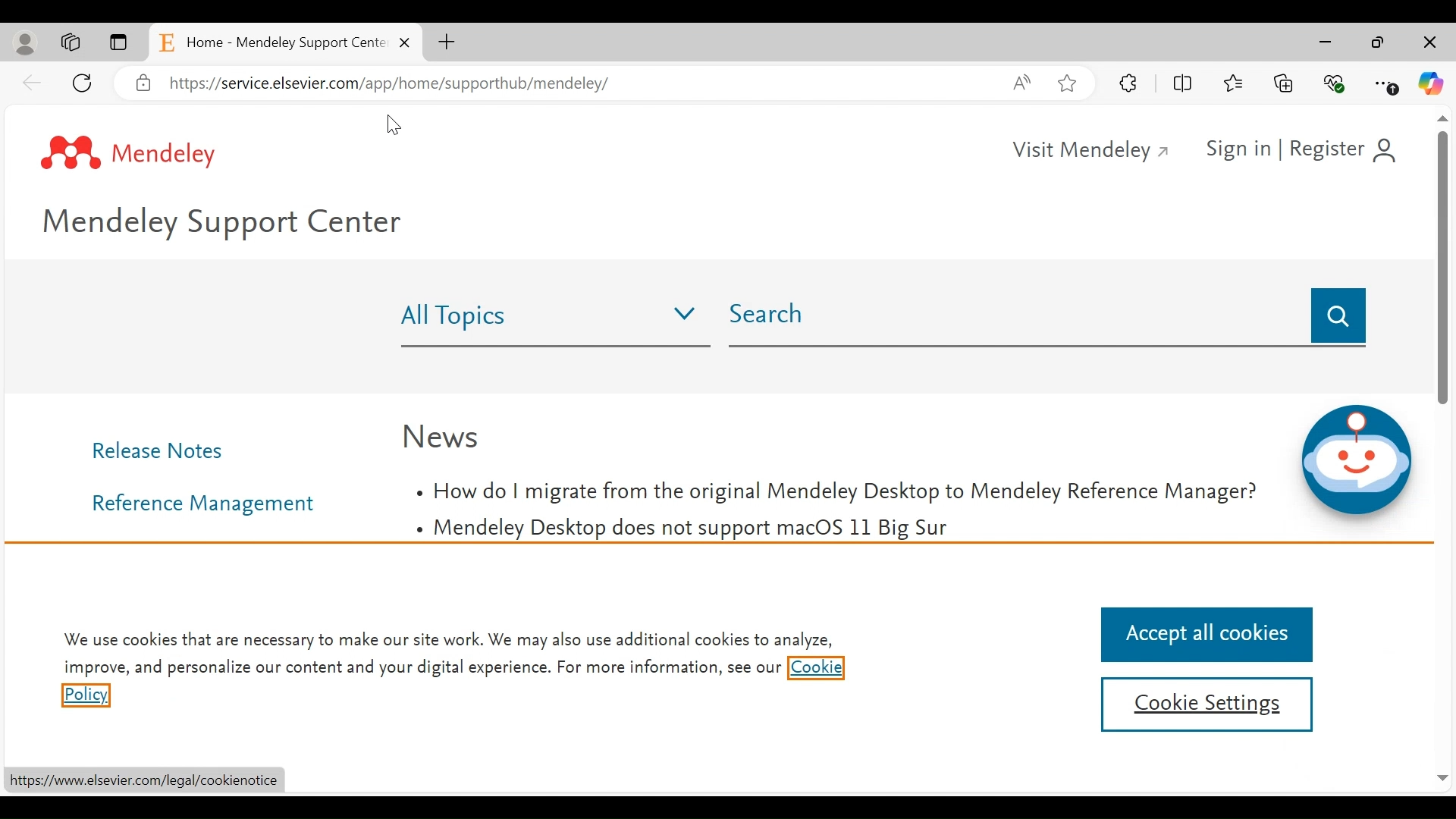 Image resolution: width=1456 pixels, height=819 pixels. Describe the element at coordinates (1345, 147) in the screenshot. I see `Register` at that location.